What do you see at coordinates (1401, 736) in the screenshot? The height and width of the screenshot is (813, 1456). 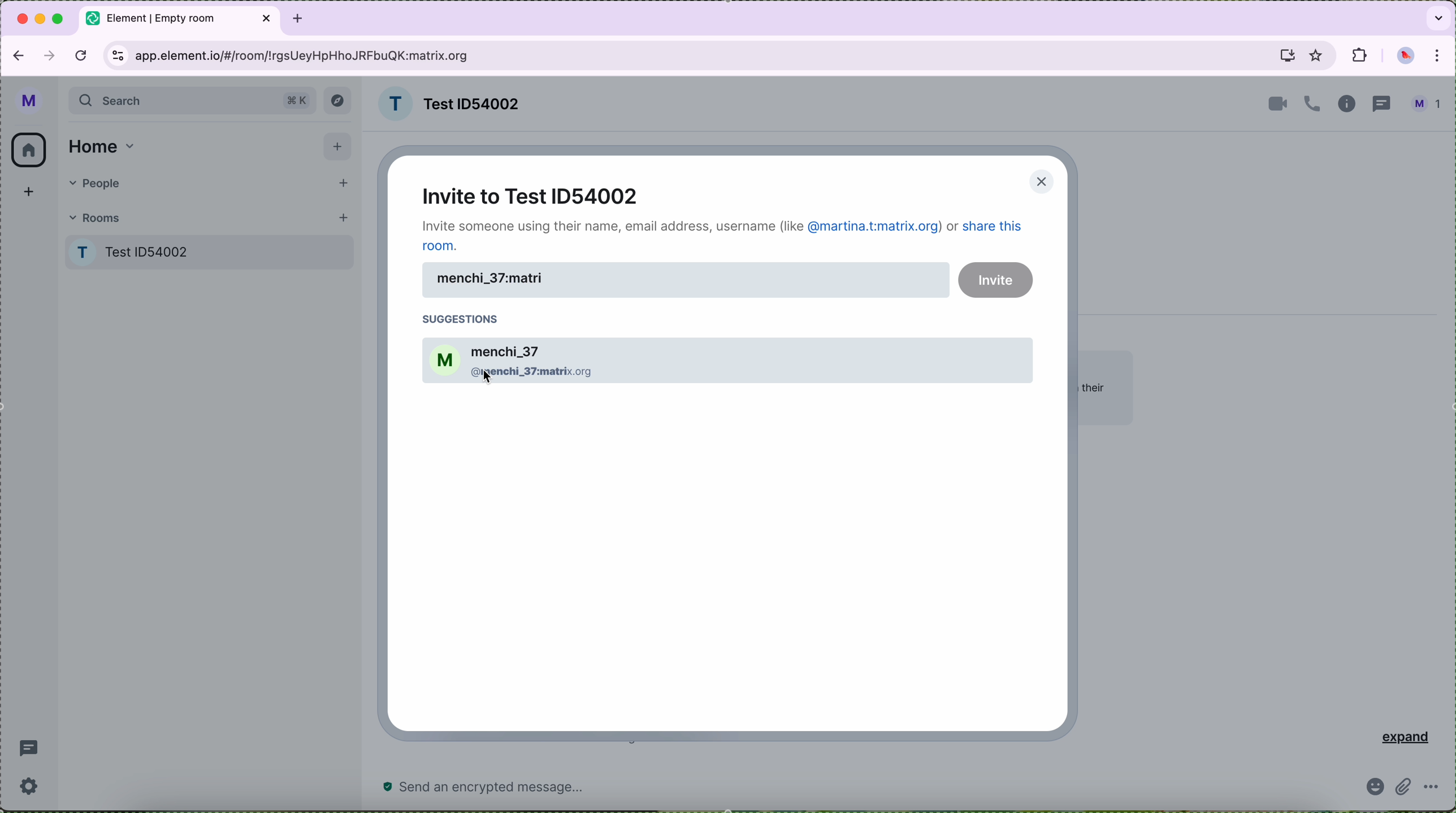 I see `expand` at bounding box center [1401, 736].